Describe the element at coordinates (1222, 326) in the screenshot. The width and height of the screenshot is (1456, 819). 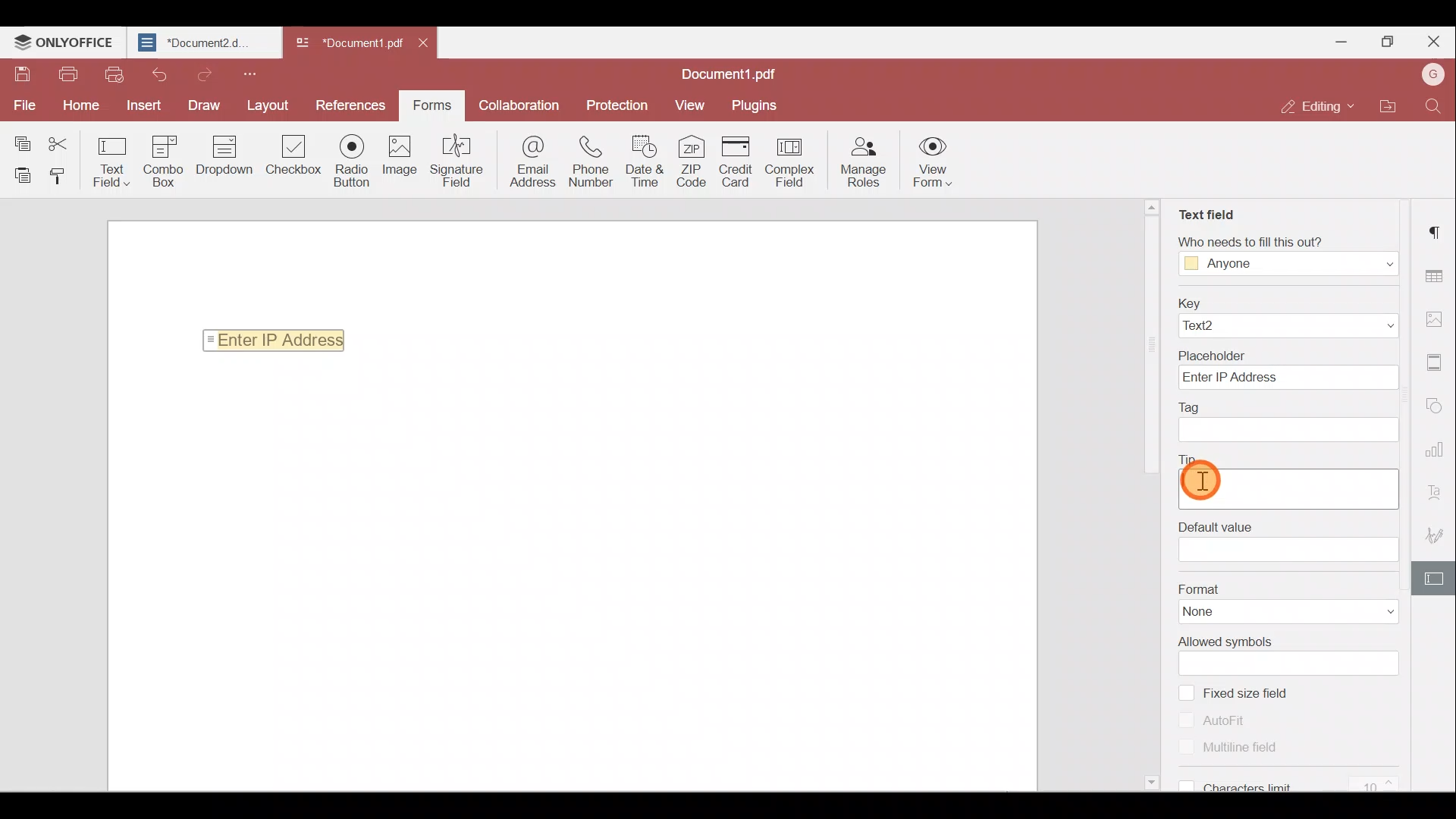
I see `Text2` at that location.